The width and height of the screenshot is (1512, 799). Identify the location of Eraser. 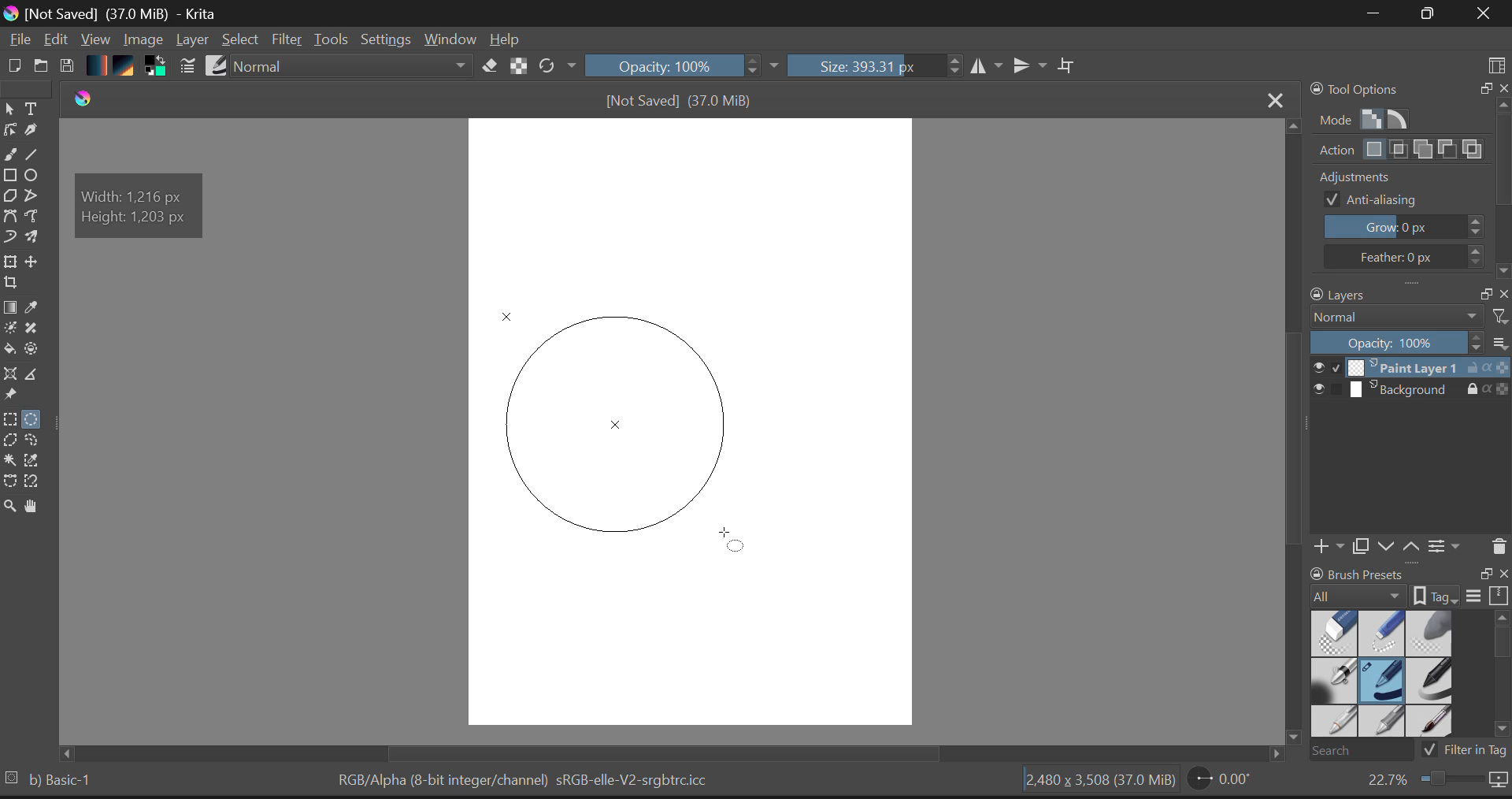
(487, 66).